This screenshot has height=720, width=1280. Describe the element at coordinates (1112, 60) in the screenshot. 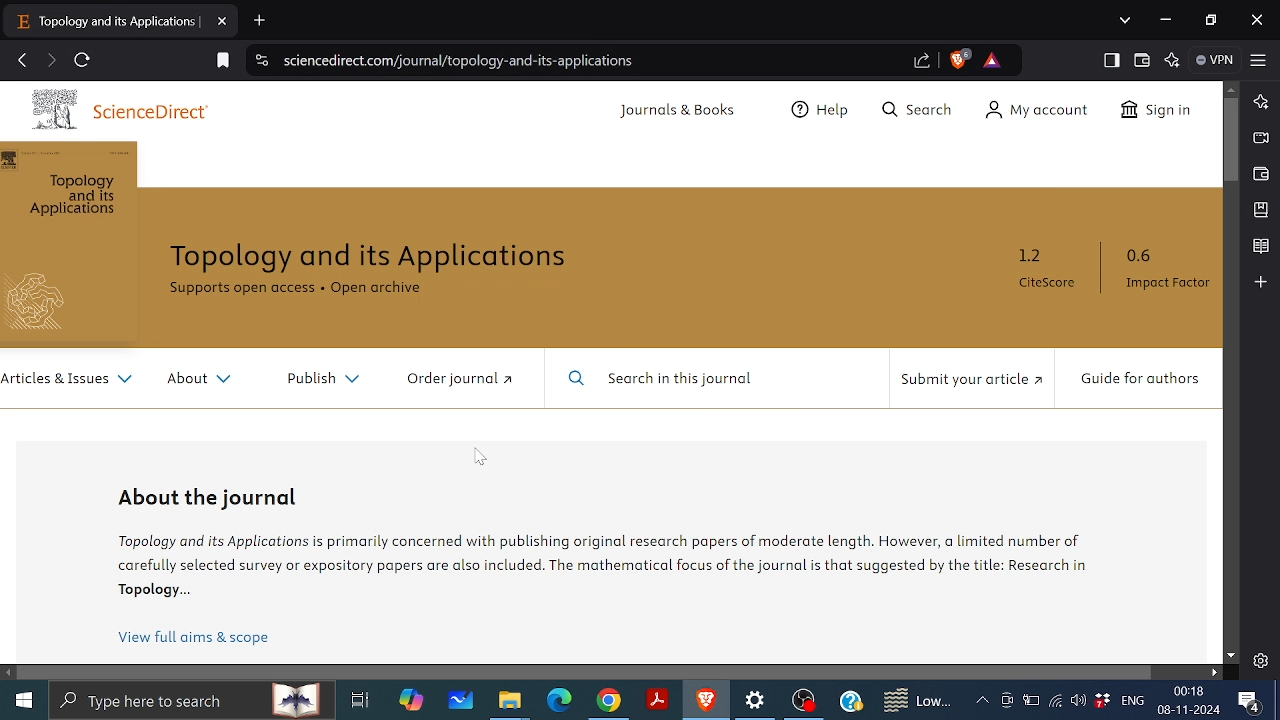

I see `Show sidebar` at that location.